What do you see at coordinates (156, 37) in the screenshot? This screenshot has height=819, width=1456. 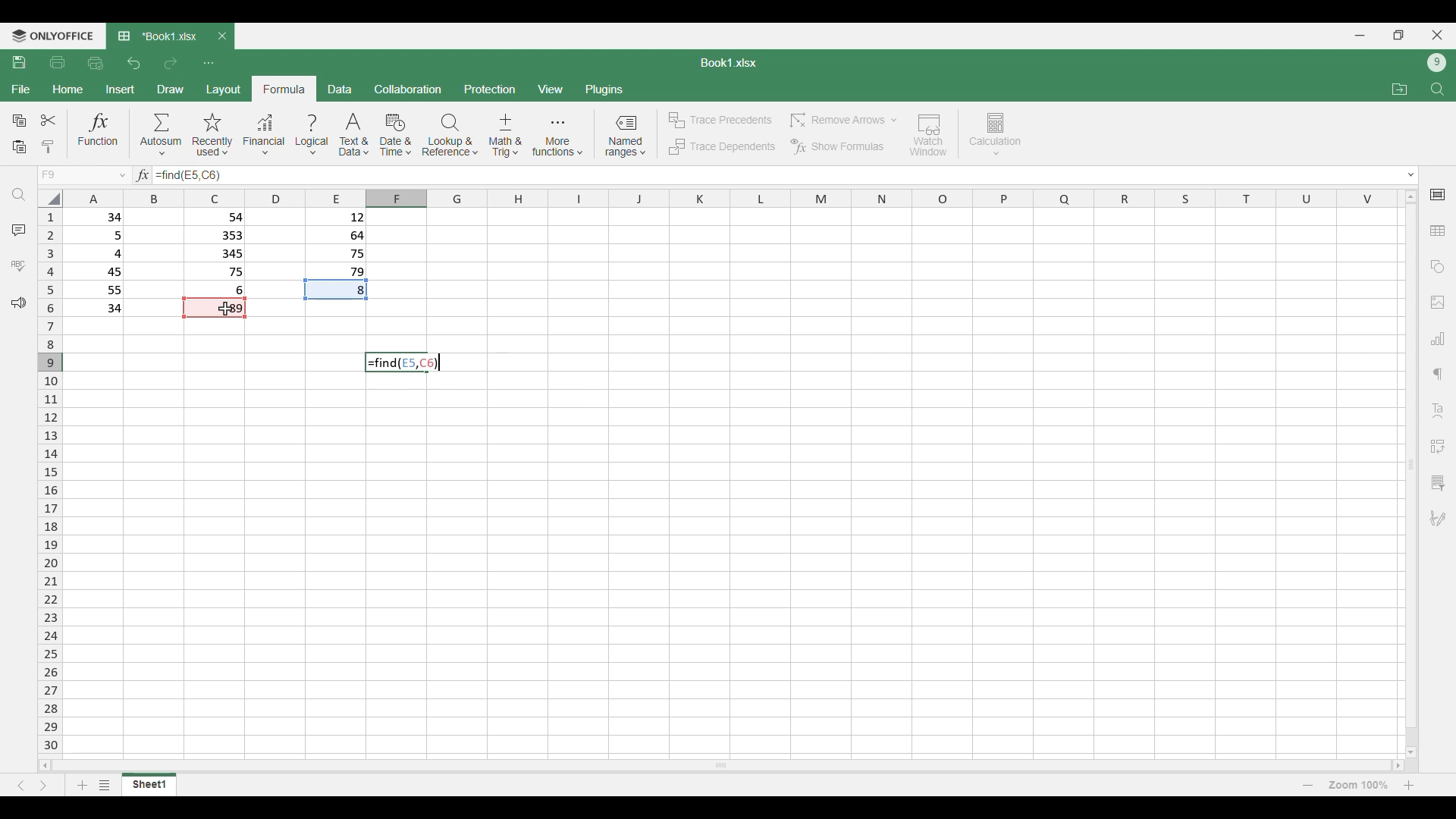 I see `Current tab` at bounding box center [156, 37].